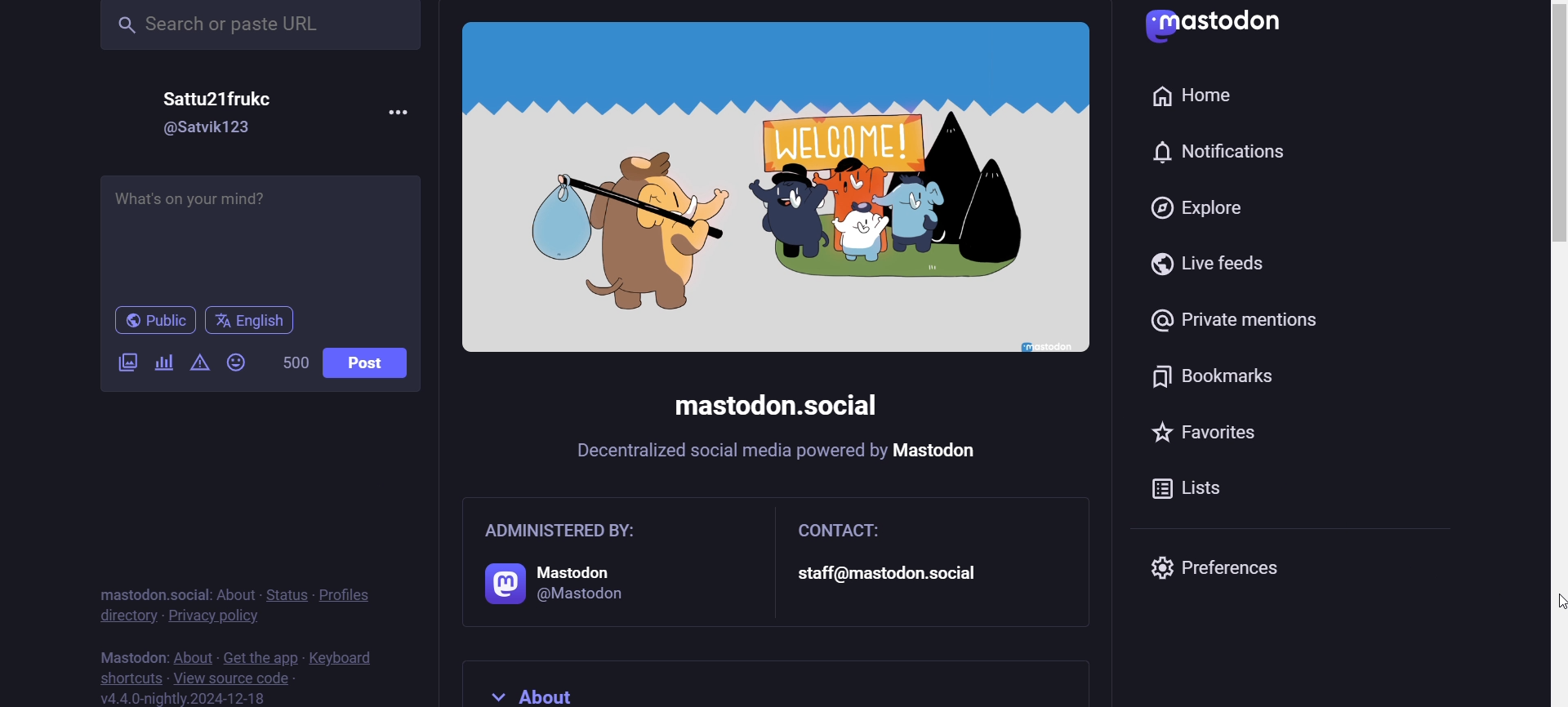 The height and width of the screenshot is (707, 1568). Describe the element at coordinates (238, 593) in the screenshot. I see `about` at that location.